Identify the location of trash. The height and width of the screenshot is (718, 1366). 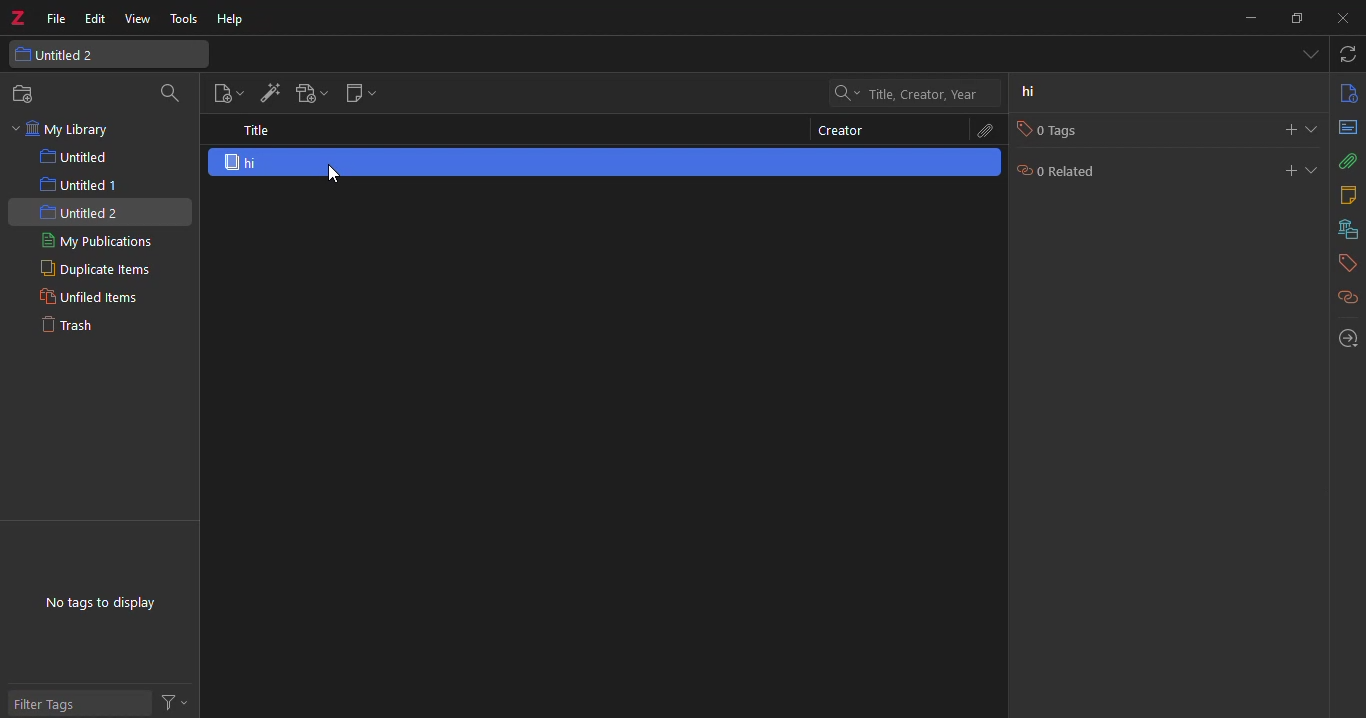
(74, 326).